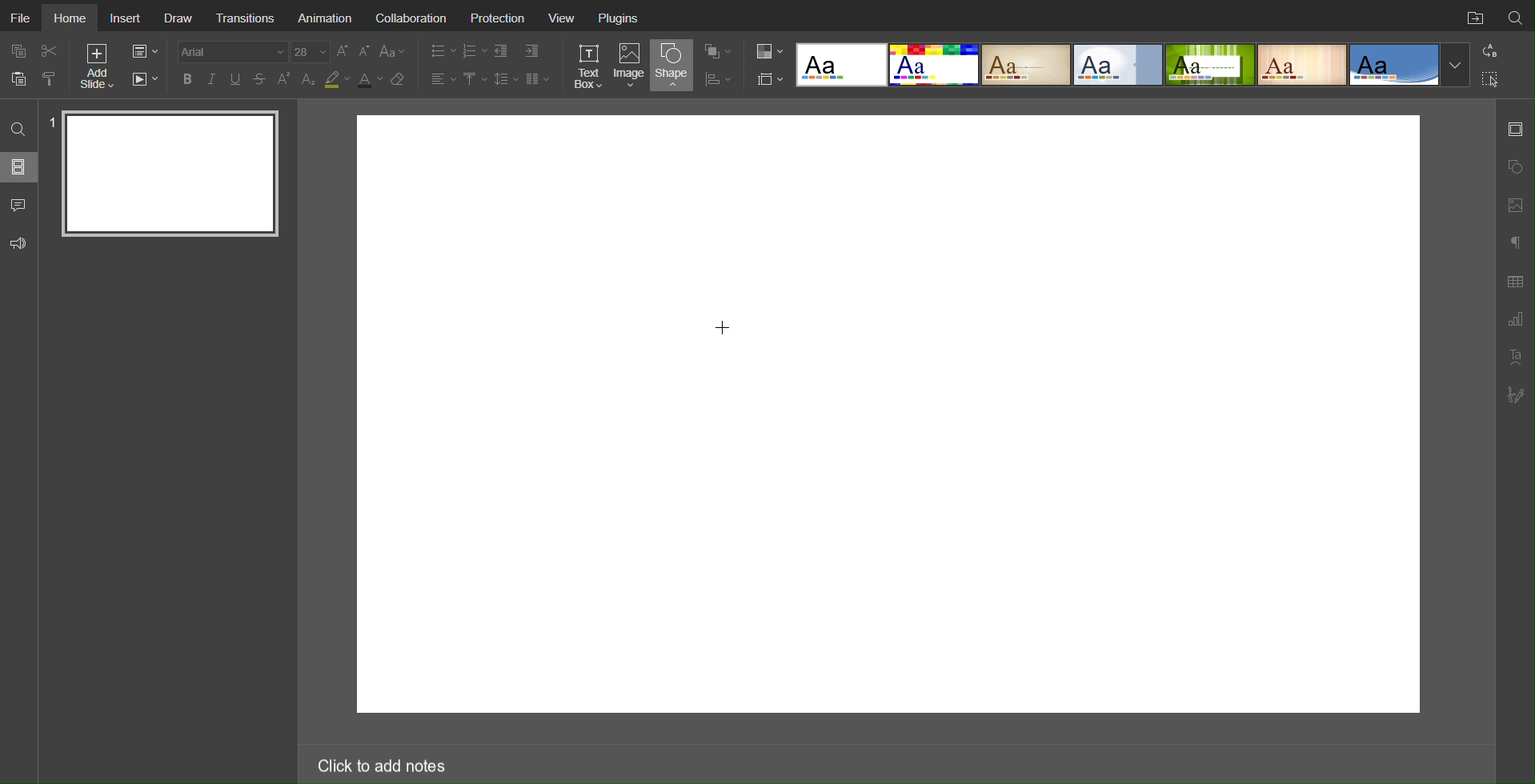 The image size is (1535, 784). What do you see at coordinates (20, 128) in the screenshot?
I see `Search` at bounding box center [20, 128].